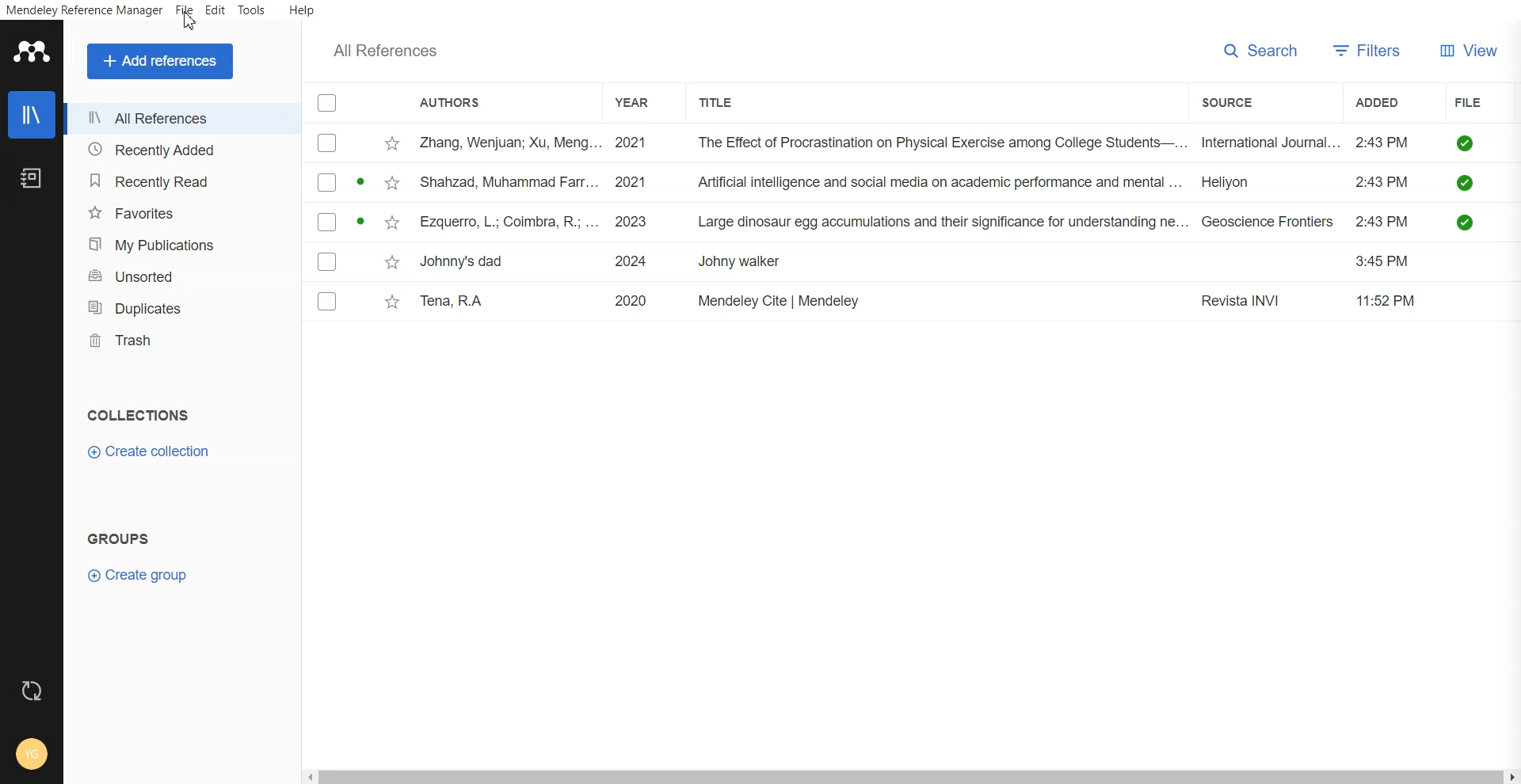  I want to click on checkbox, so click(328, 143).